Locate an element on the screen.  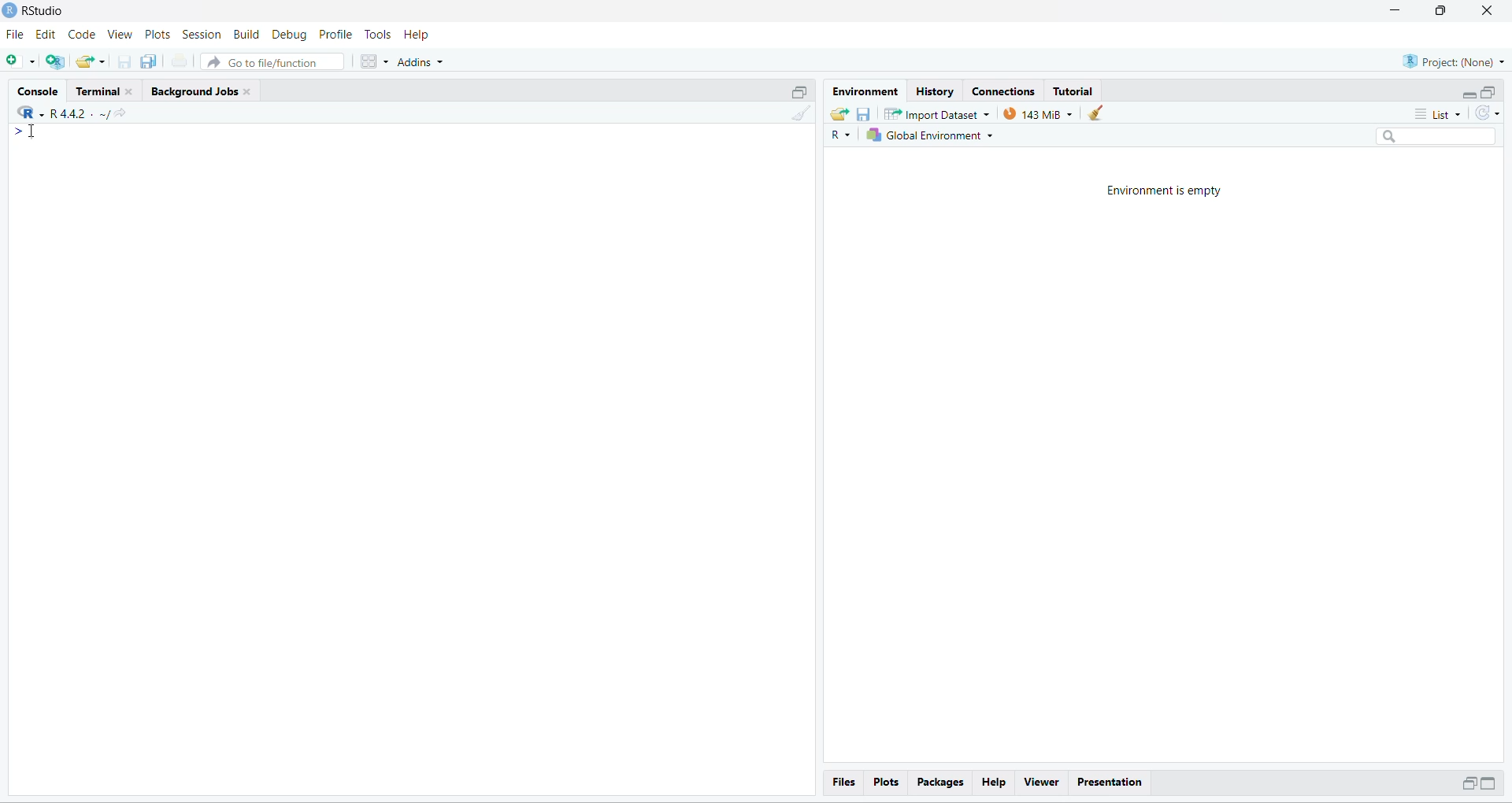
print is located at coordinates (180, 60).